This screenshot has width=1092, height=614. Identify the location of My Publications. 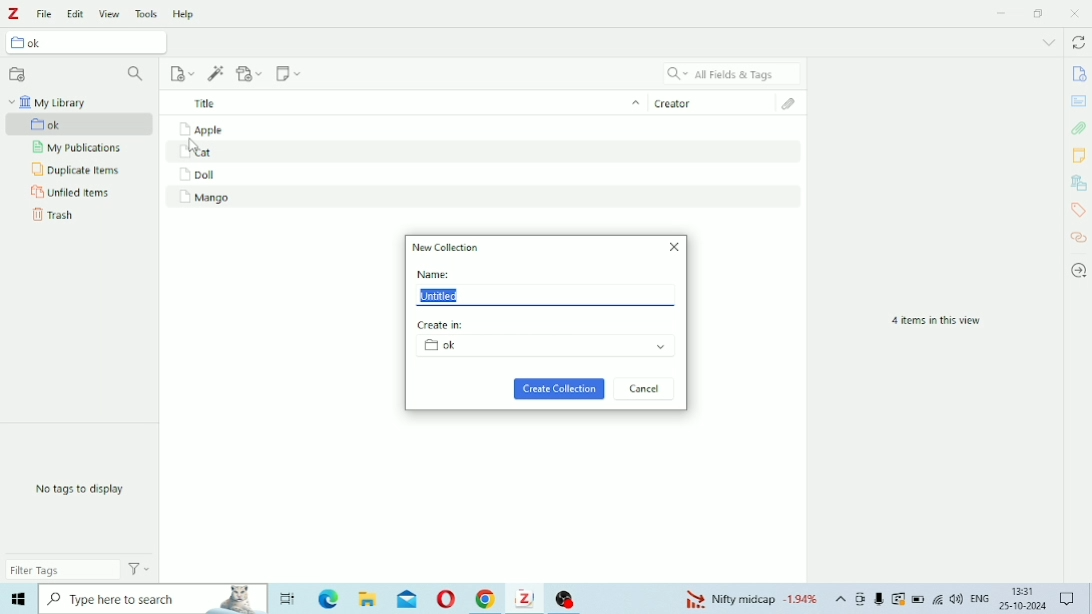
(80, 148).